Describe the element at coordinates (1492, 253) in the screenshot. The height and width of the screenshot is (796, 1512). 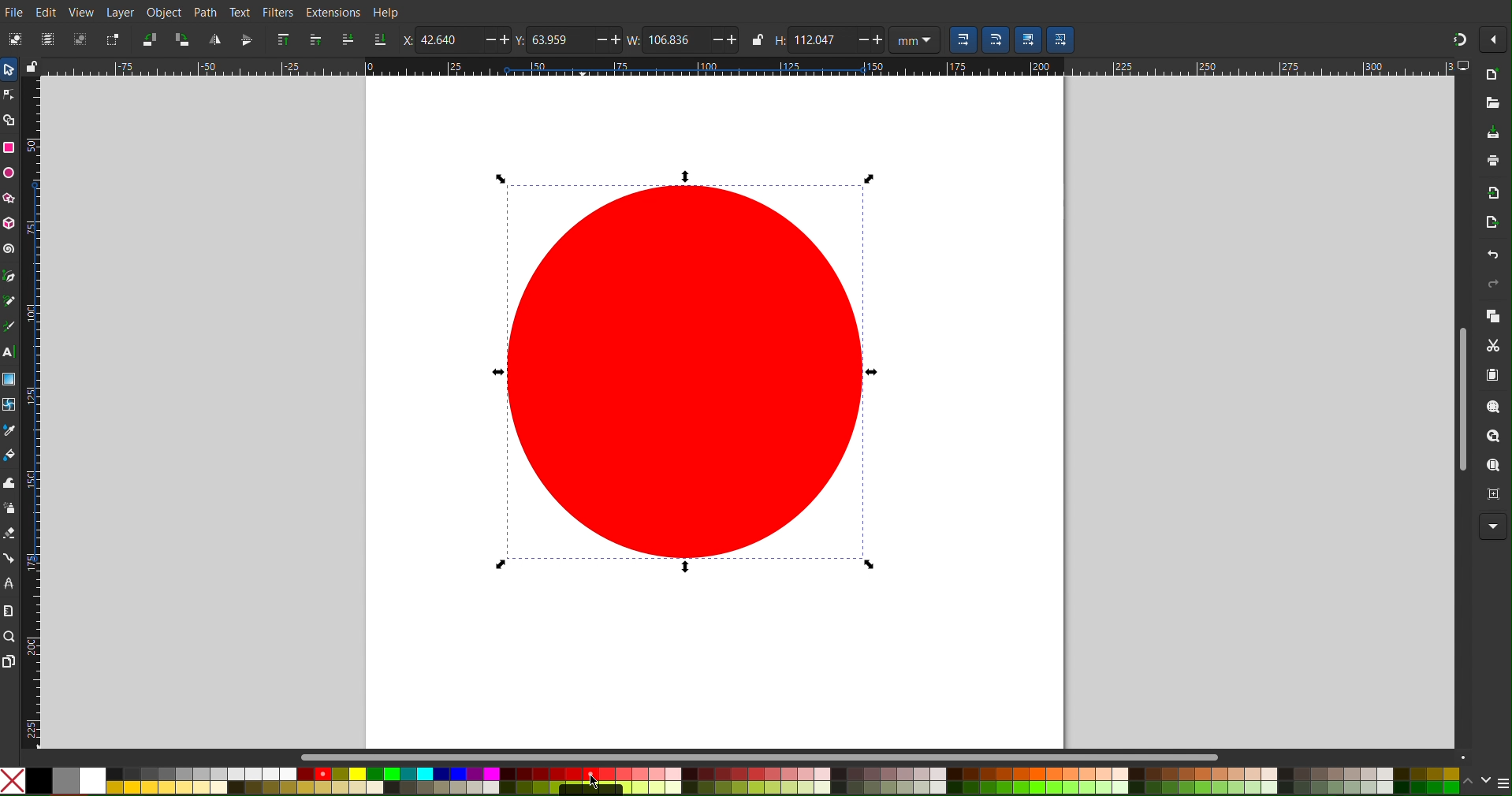
I see `Undo` at that location.